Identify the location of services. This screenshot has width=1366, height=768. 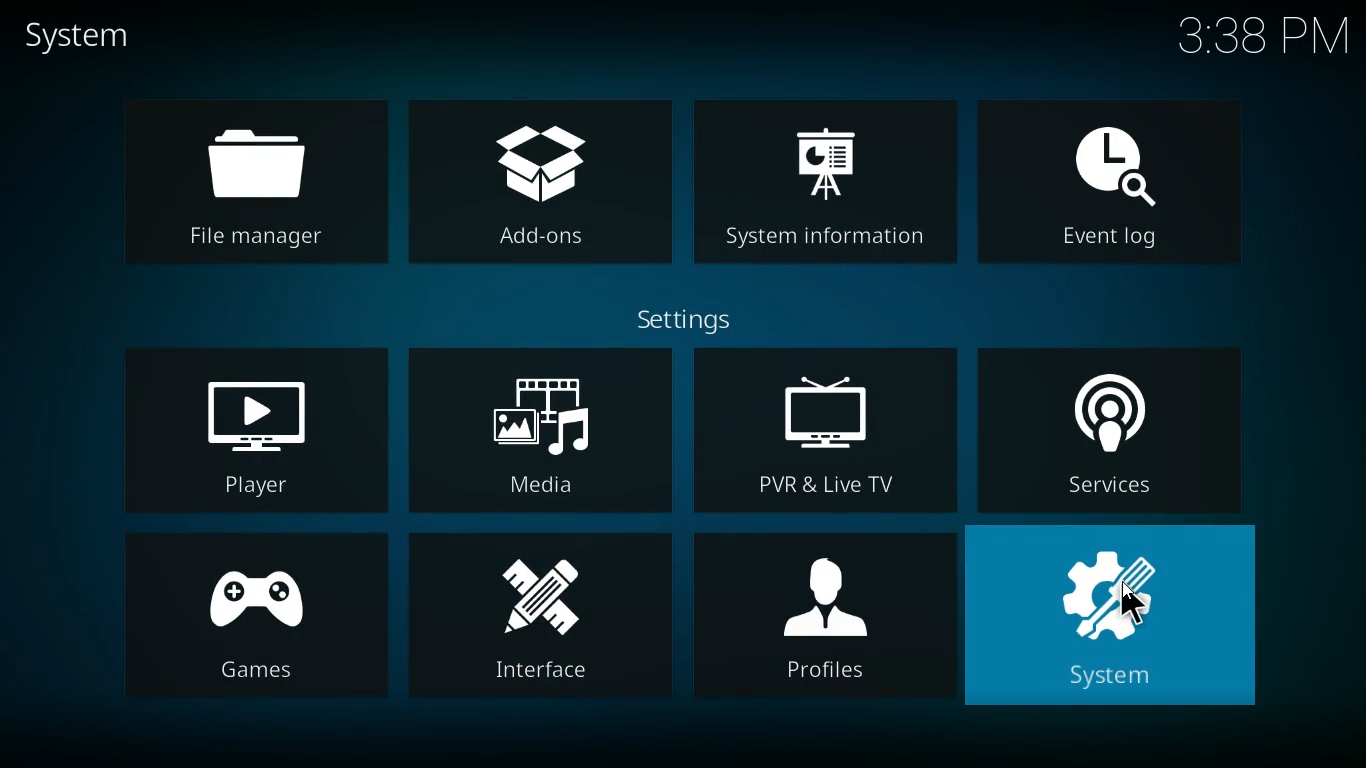
(1116, 425).